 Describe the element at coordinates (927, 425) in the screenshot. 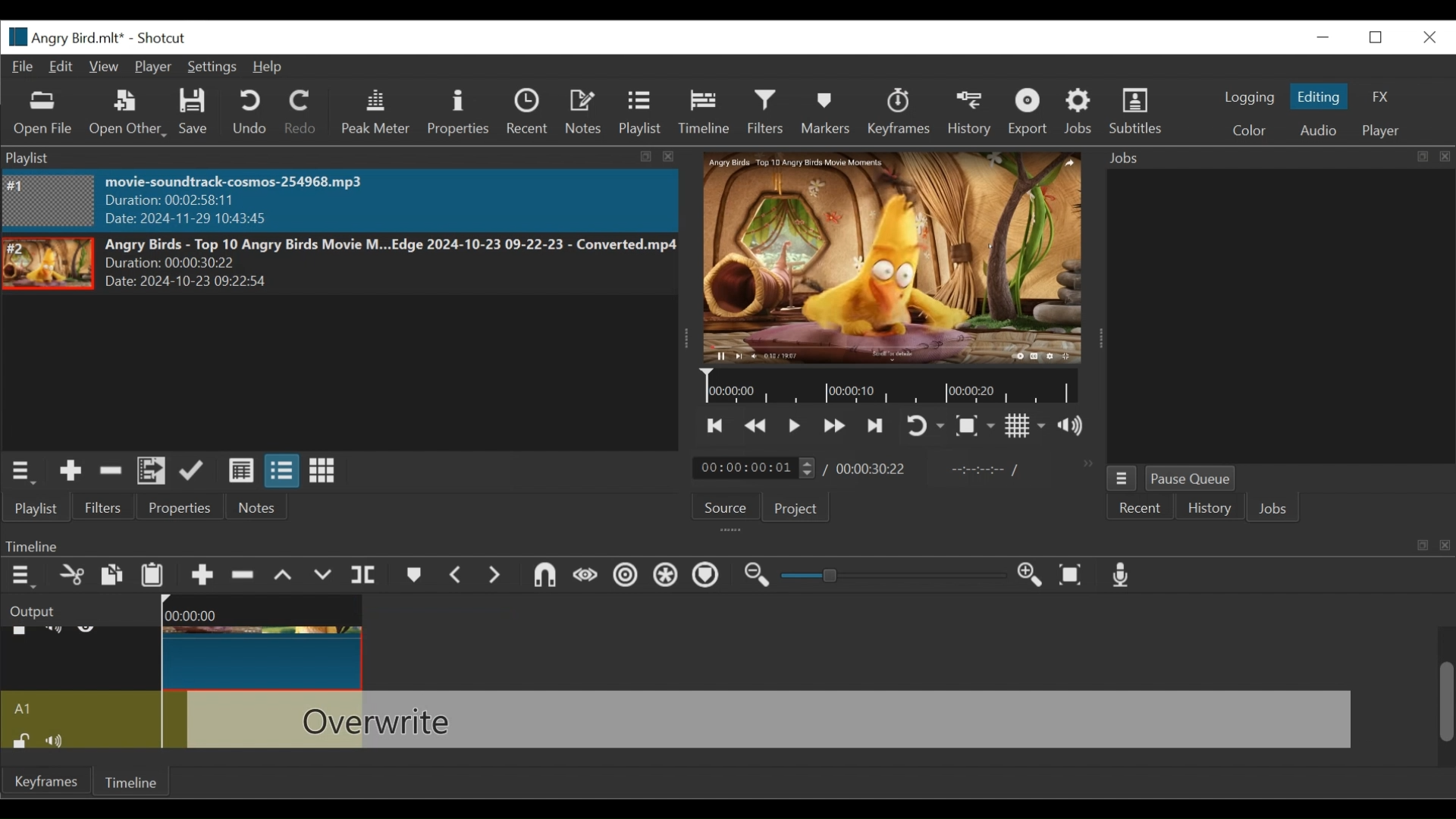

I see `Toggle on ` at that location.